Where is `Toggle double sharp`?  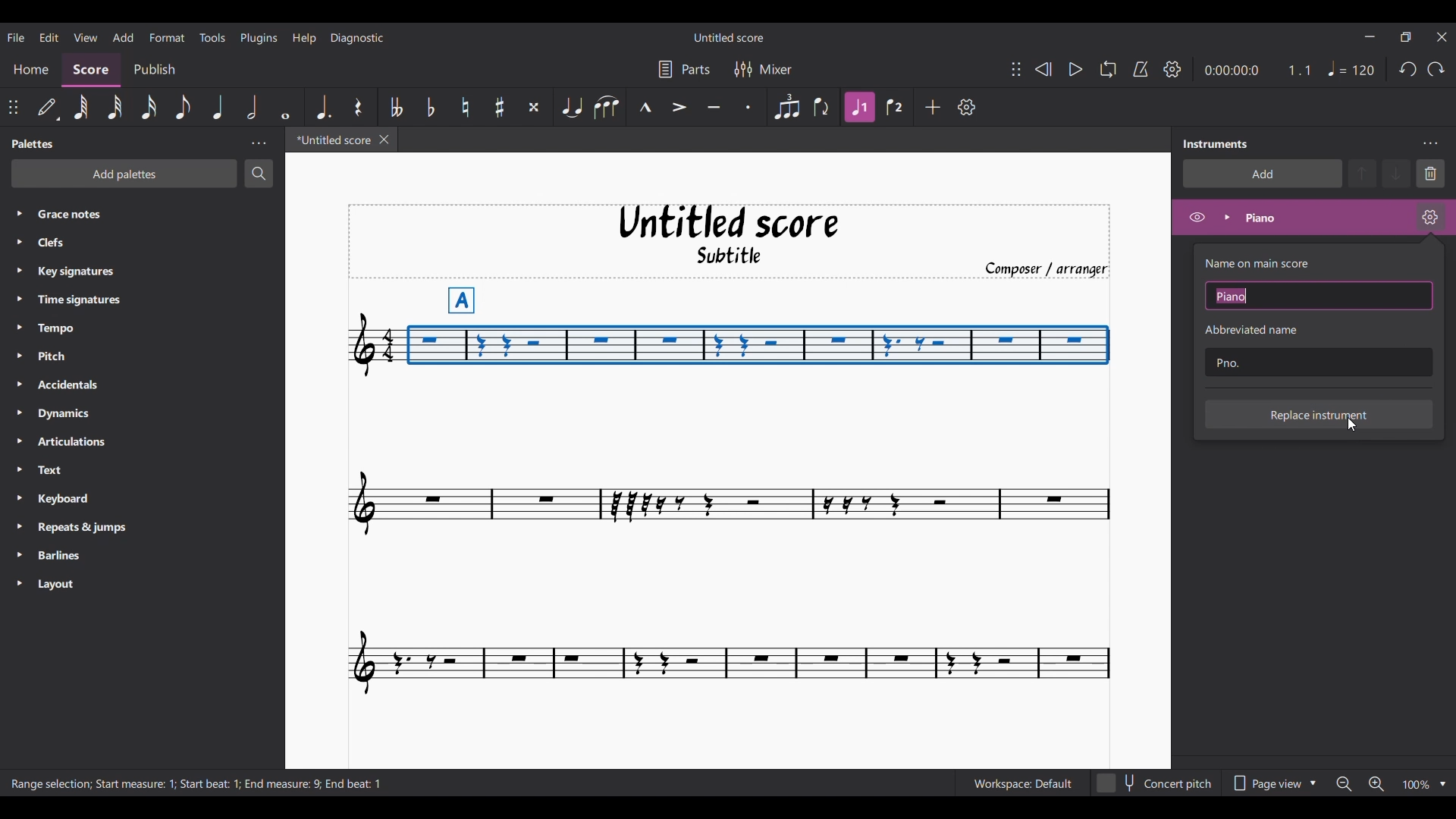
Toggle double sharp is located at coordinates (534, 107).